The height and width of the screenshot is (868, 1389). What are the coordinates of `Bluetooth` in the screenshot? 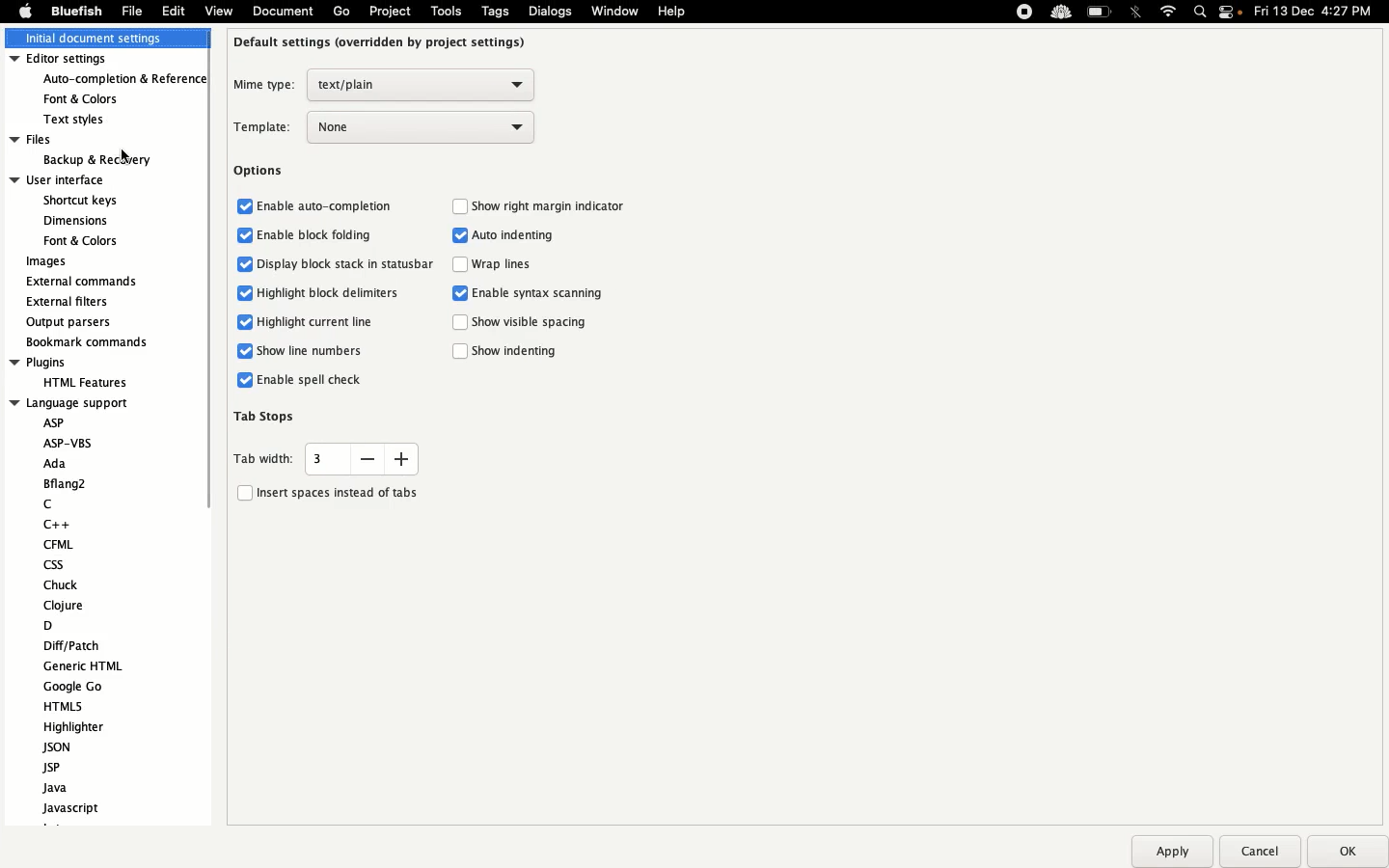 It's located at (1134, 12).